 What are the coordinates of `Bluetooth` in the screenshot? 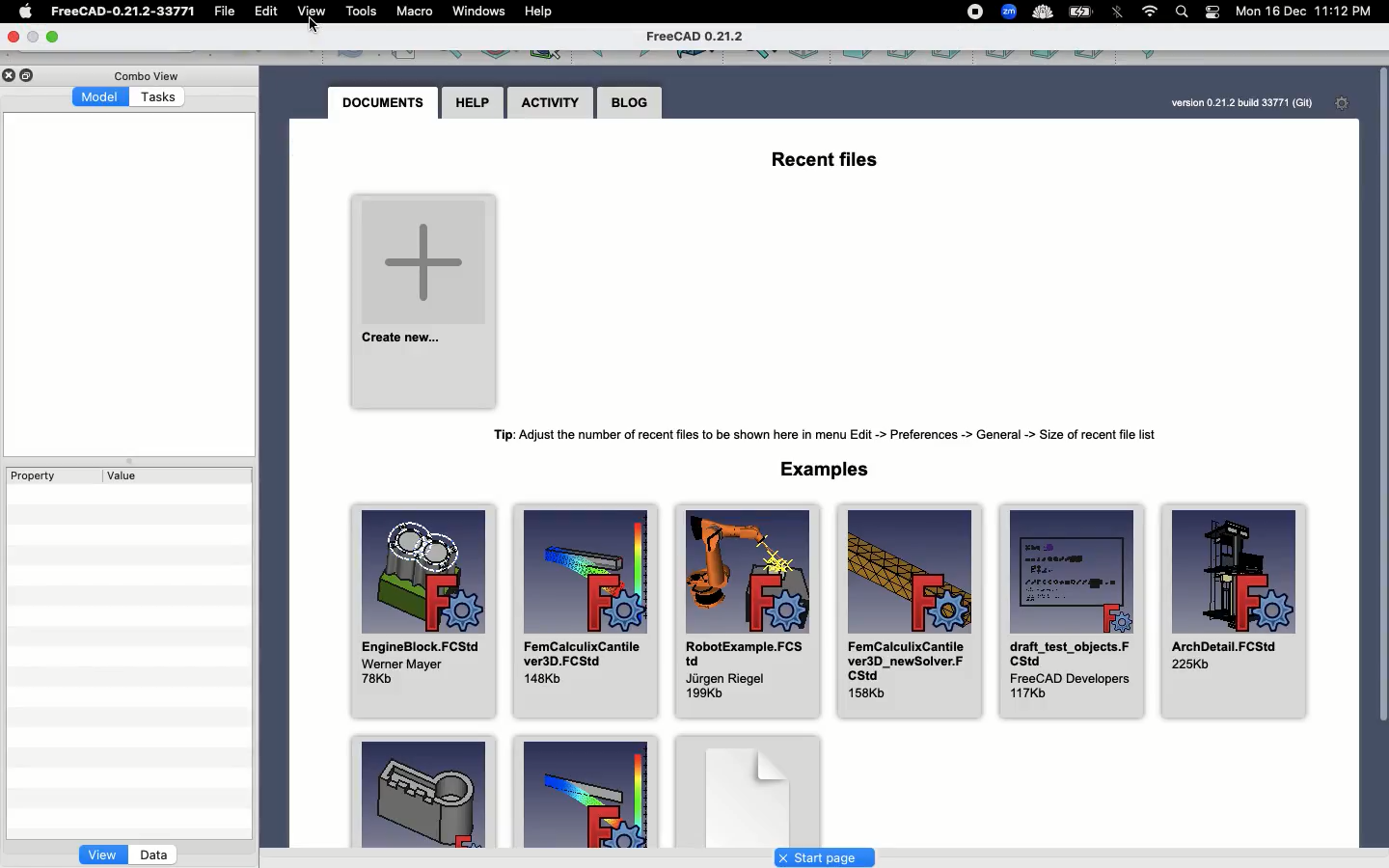 It's located at (1118, 15).